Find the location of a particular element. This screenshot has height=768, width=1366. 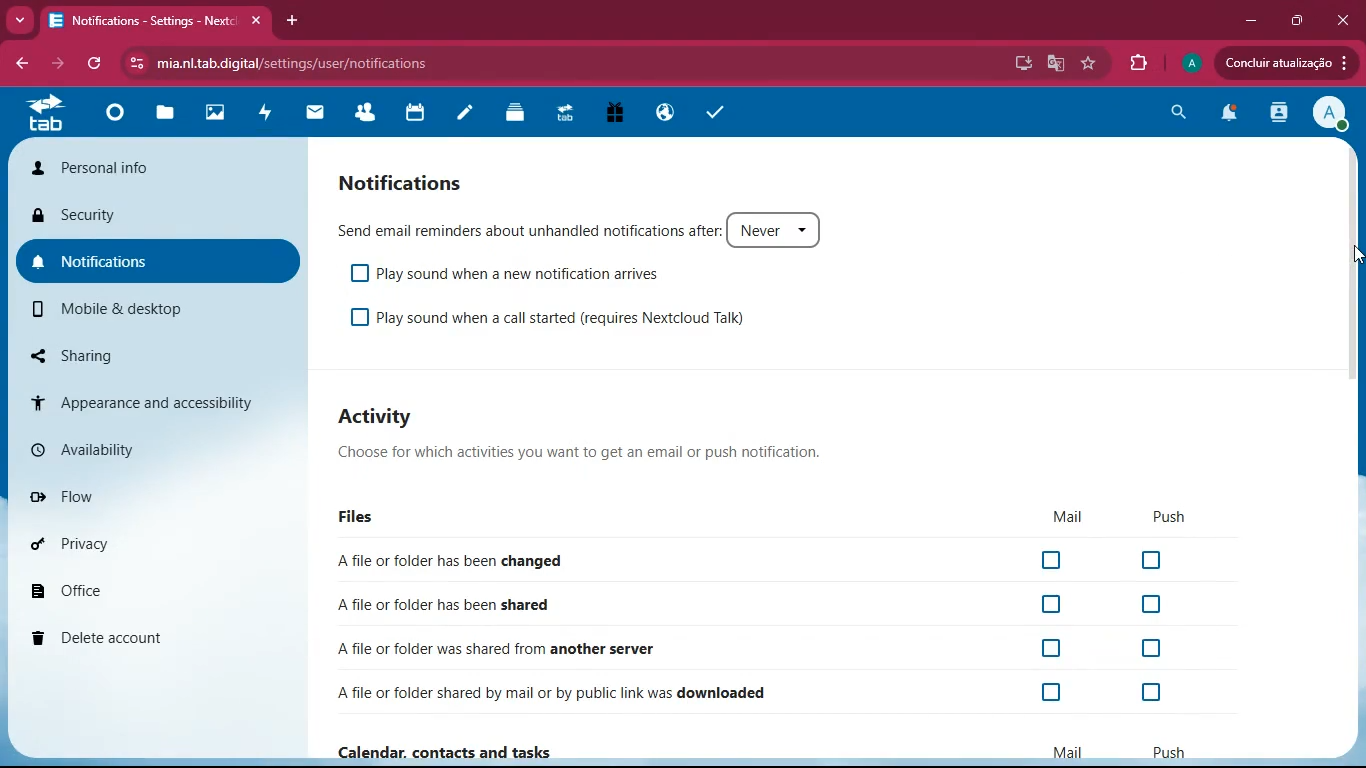

scroll bar is located at coordinates (1350, 264).